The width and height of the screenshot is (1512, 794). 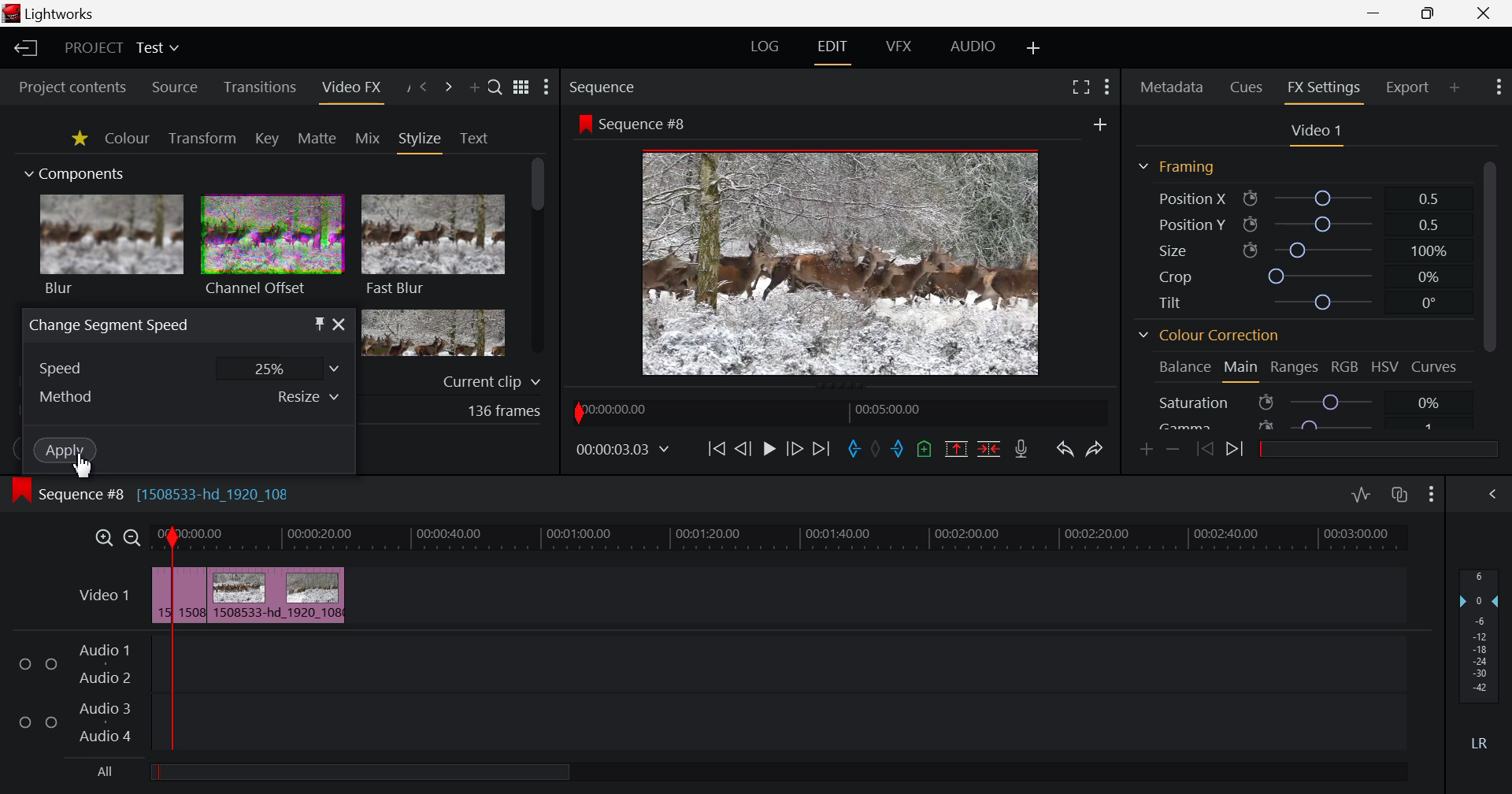 I want to click on tilt, so click(x=1299, y=305).